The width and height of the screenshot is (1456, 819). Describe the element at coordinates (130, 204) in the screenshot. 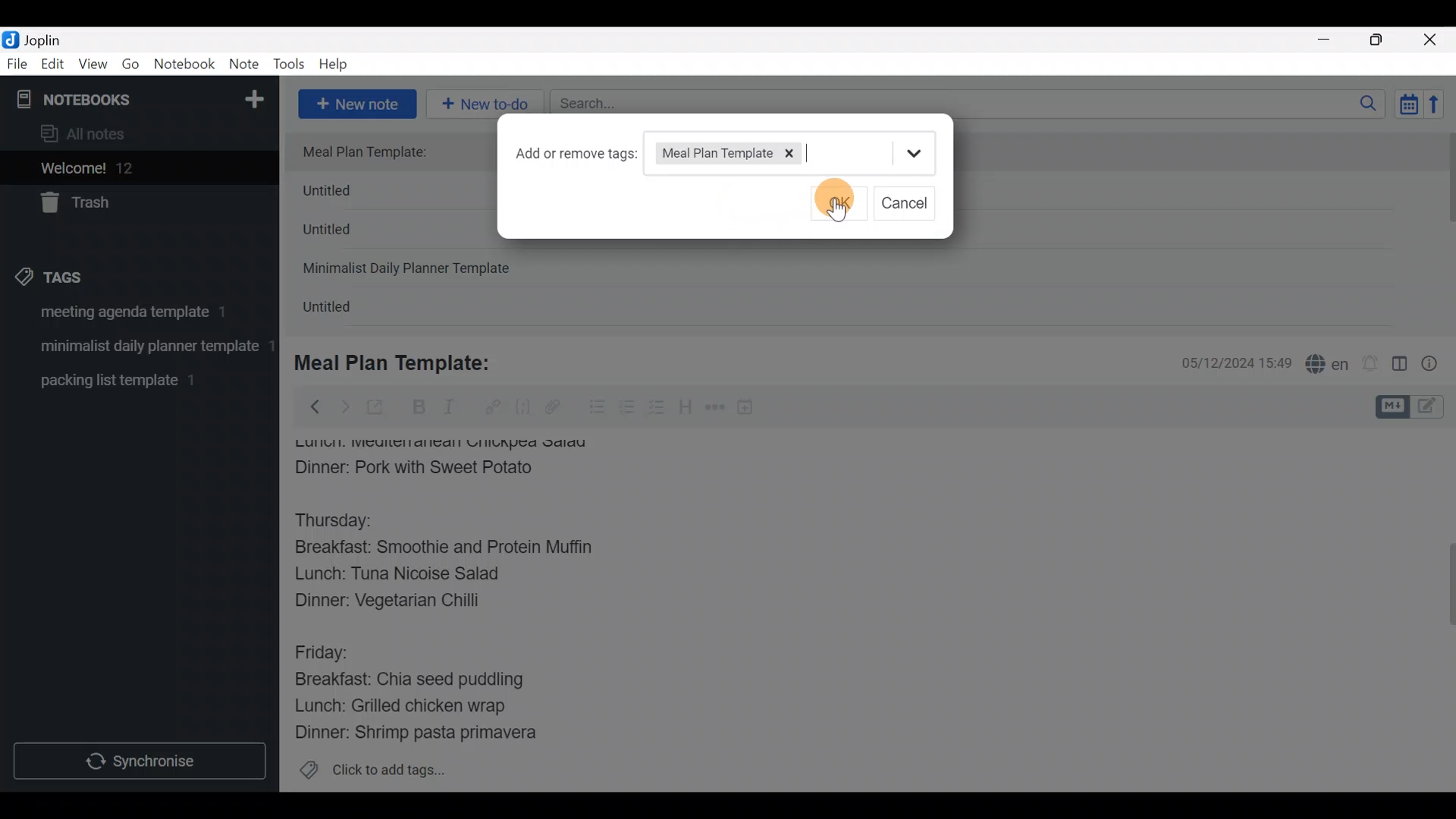

I see `Trash` at that location.